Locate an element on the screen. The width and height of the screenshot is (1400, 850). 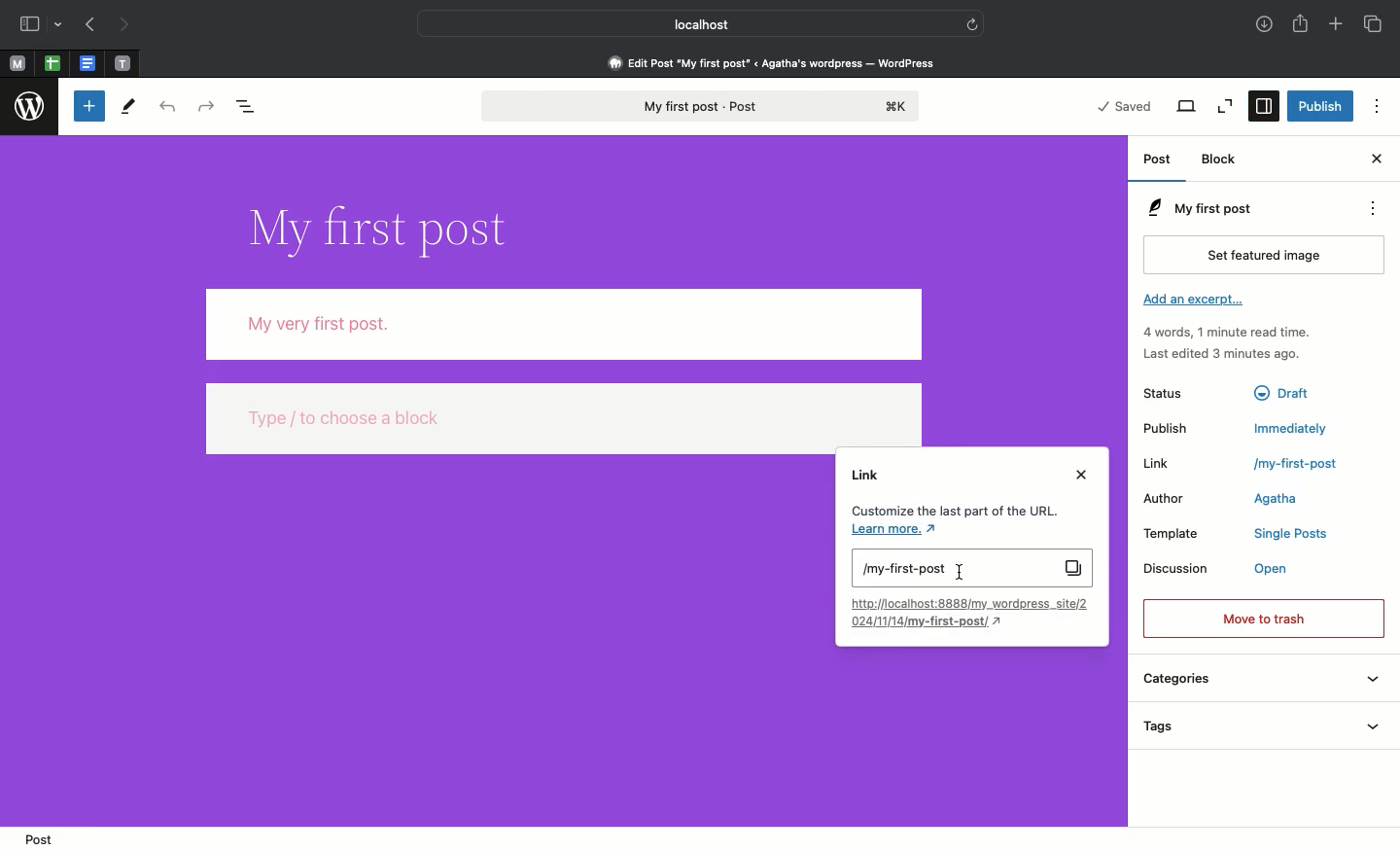
View is located at coordinates (1185, 108).